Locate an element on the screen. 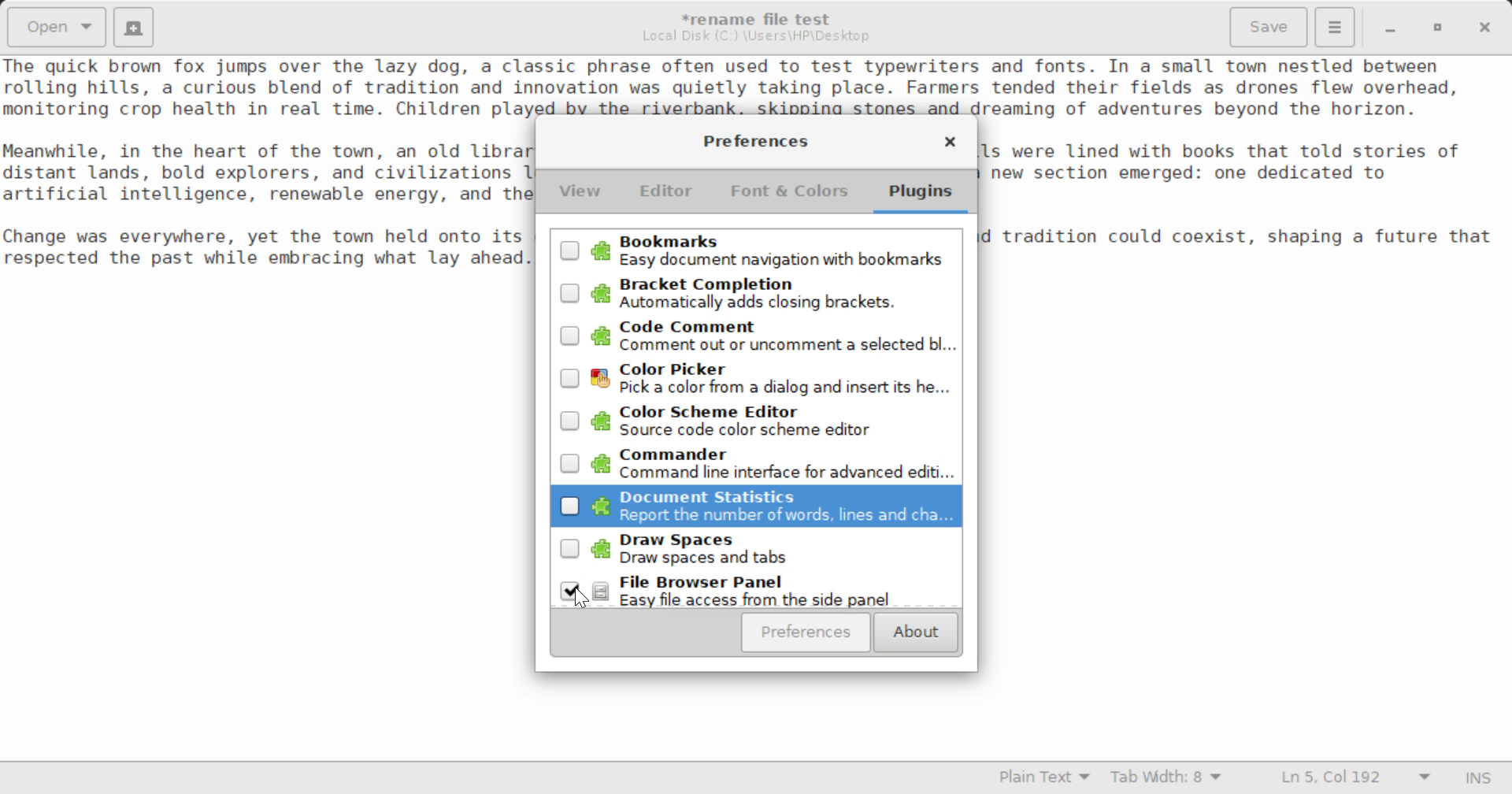 The image size is (1512, 794). Close Window is located at coordinates (950, 144).